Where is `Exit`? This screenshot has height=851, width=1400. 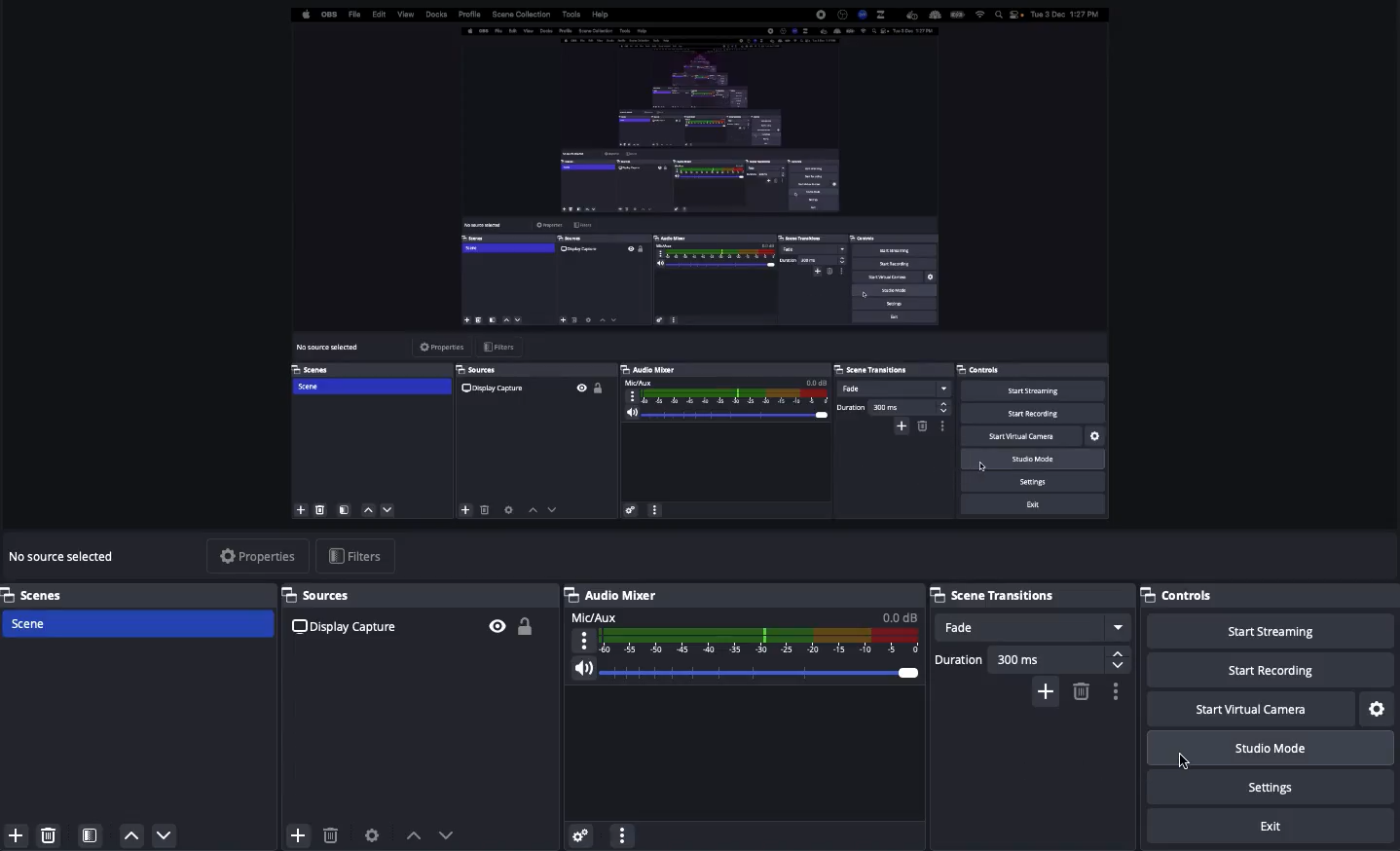
Exit is located at coordinates (1269, 828).